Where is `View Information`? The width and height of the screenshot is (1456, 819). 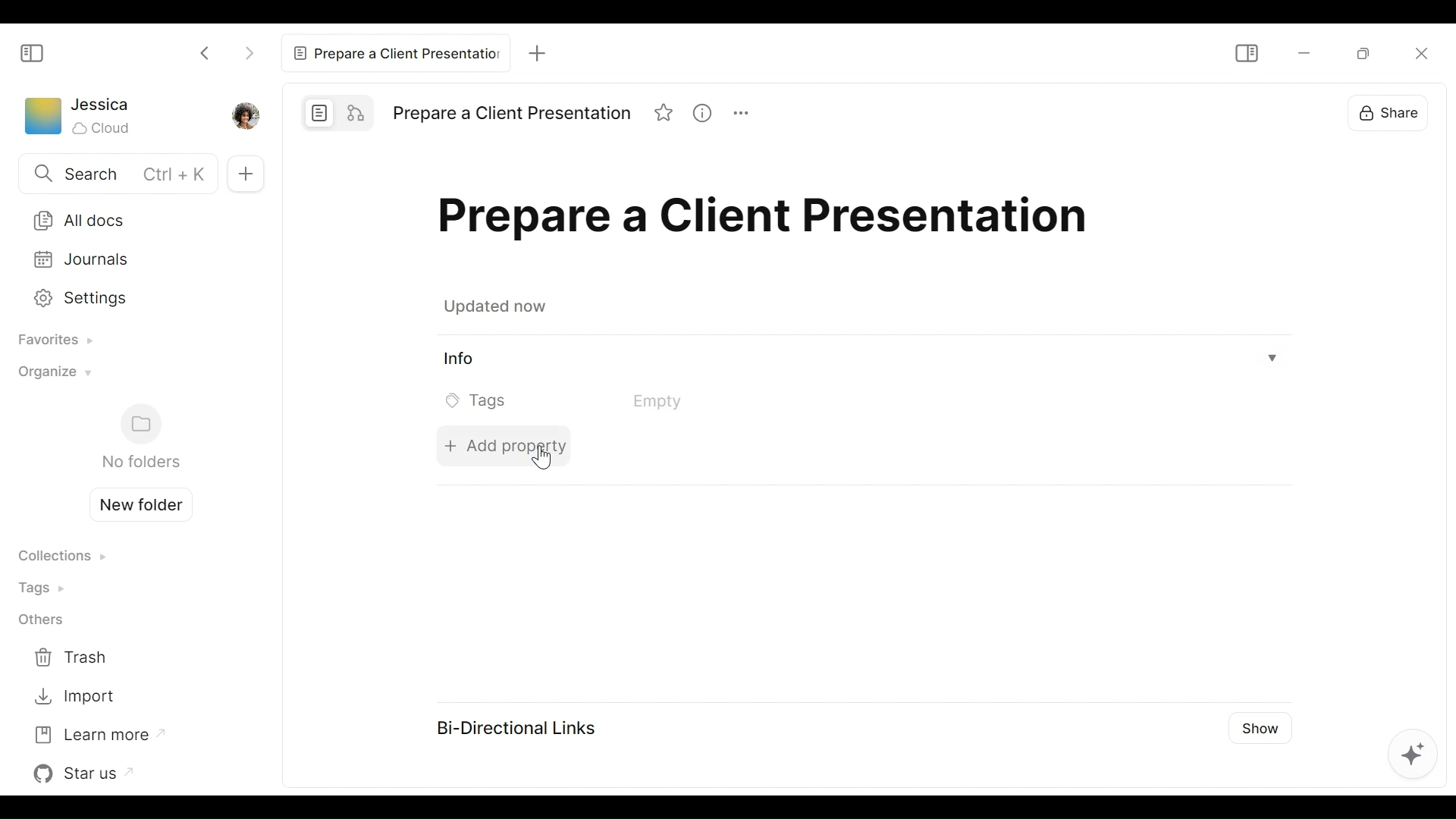 View Information is located at coordinates (861, 360).